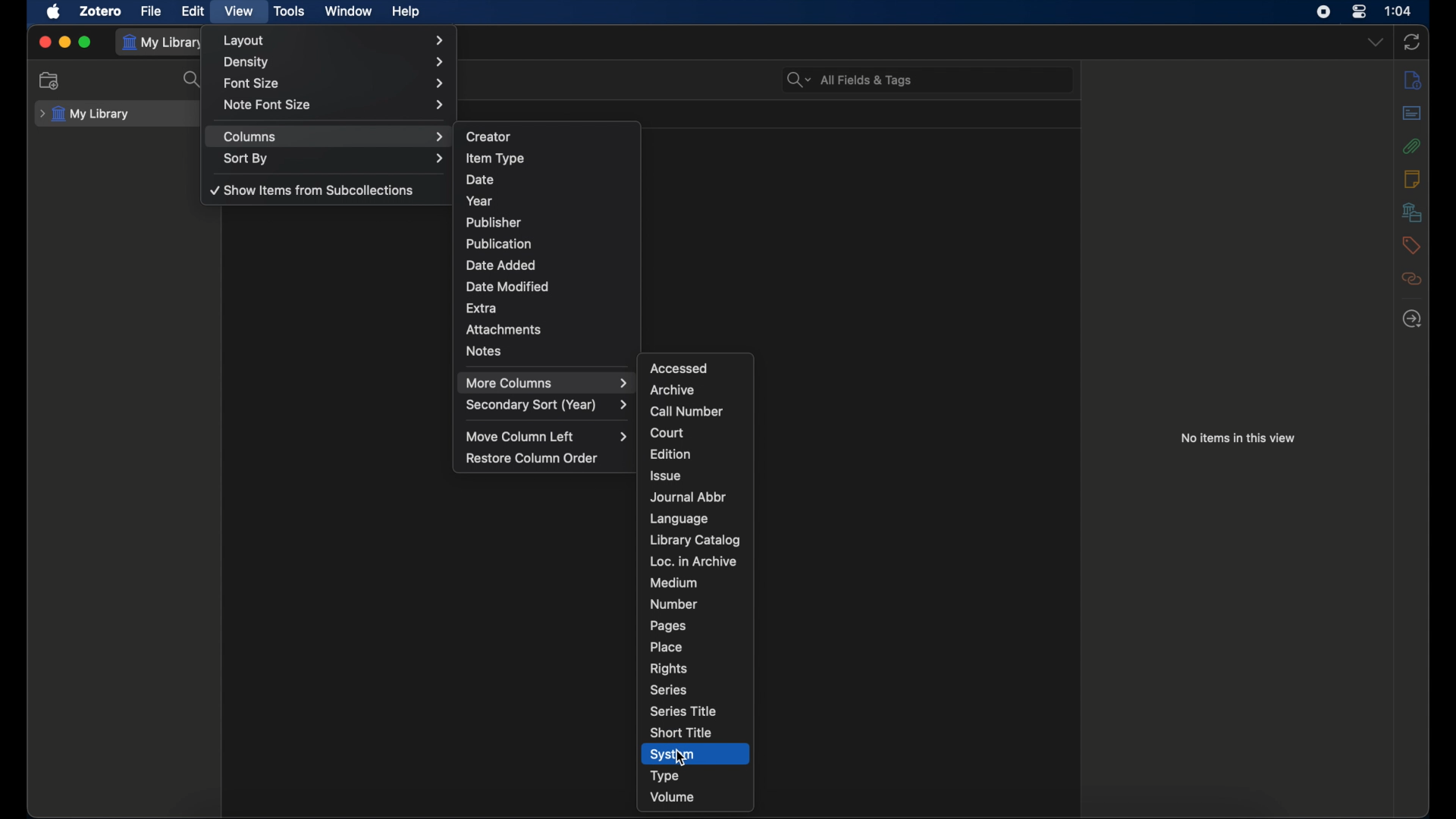  Describe the element at coordinates (682, 711) in the screenshot. I see `series title` at that location.